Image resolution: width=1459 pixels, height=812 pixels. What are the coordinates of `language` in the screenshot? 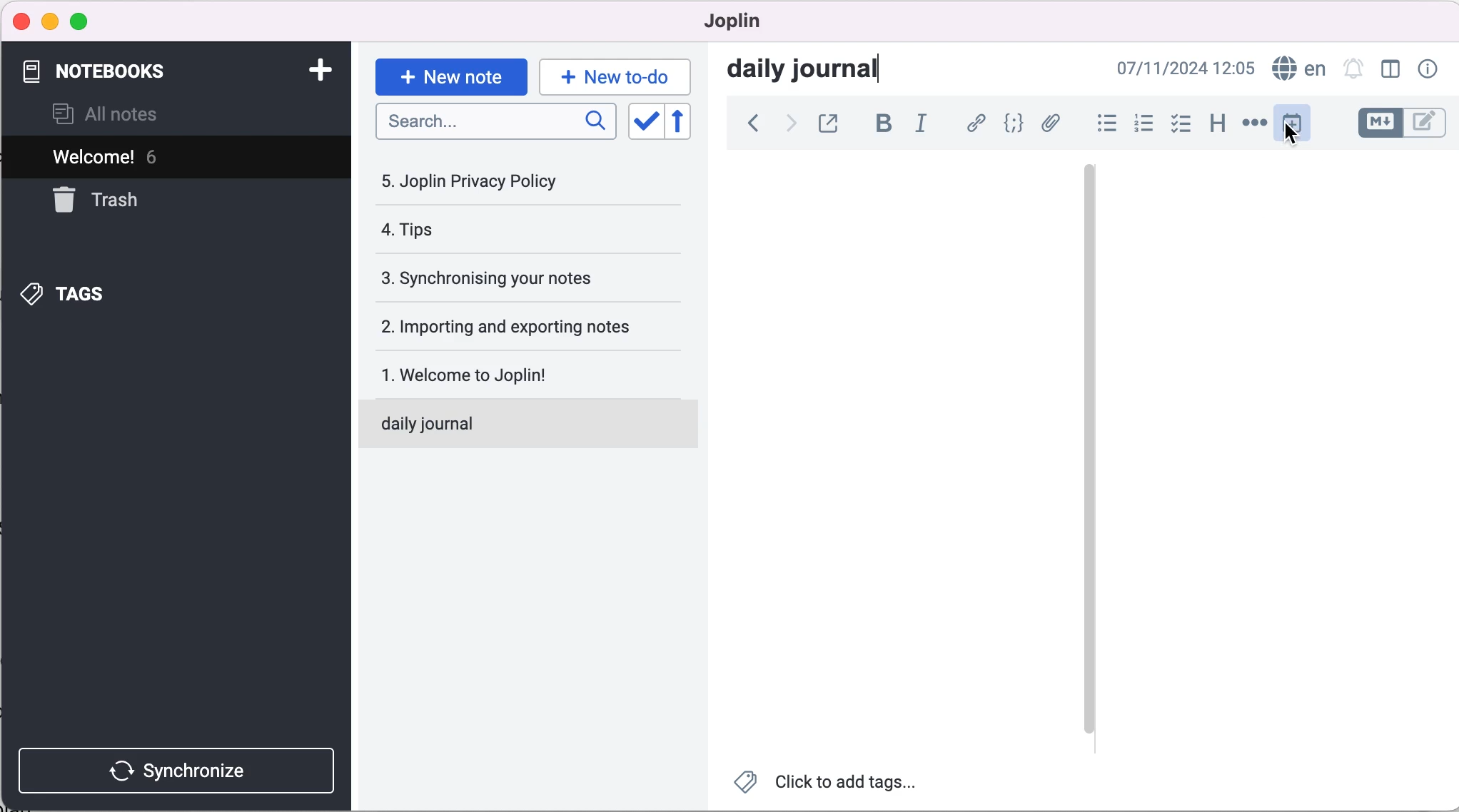 It's located at (1298, 70).